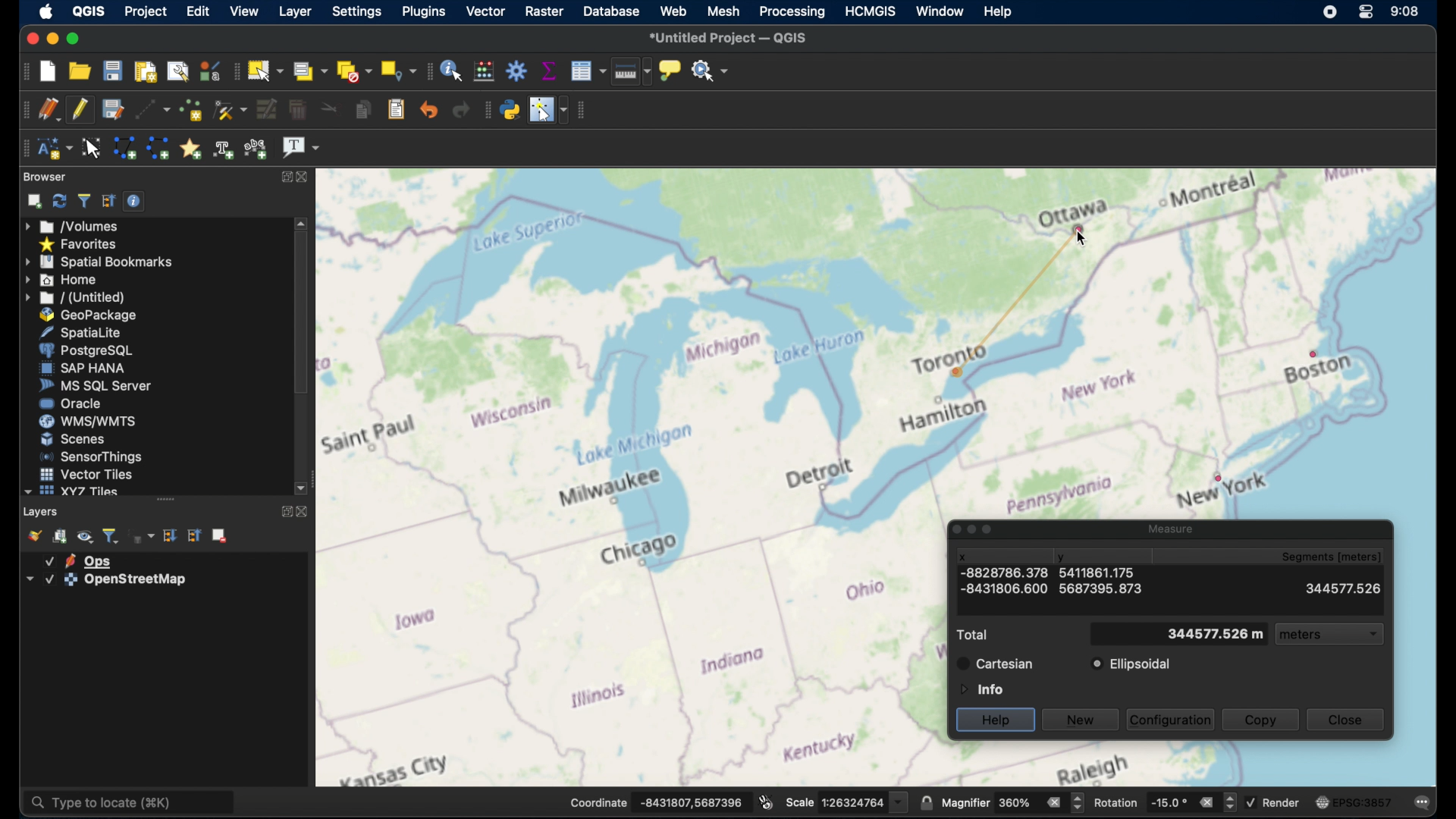 Image resolution: width=1456 pixels, height=819 pixels. I want to click on maximize, so click(73, 38).